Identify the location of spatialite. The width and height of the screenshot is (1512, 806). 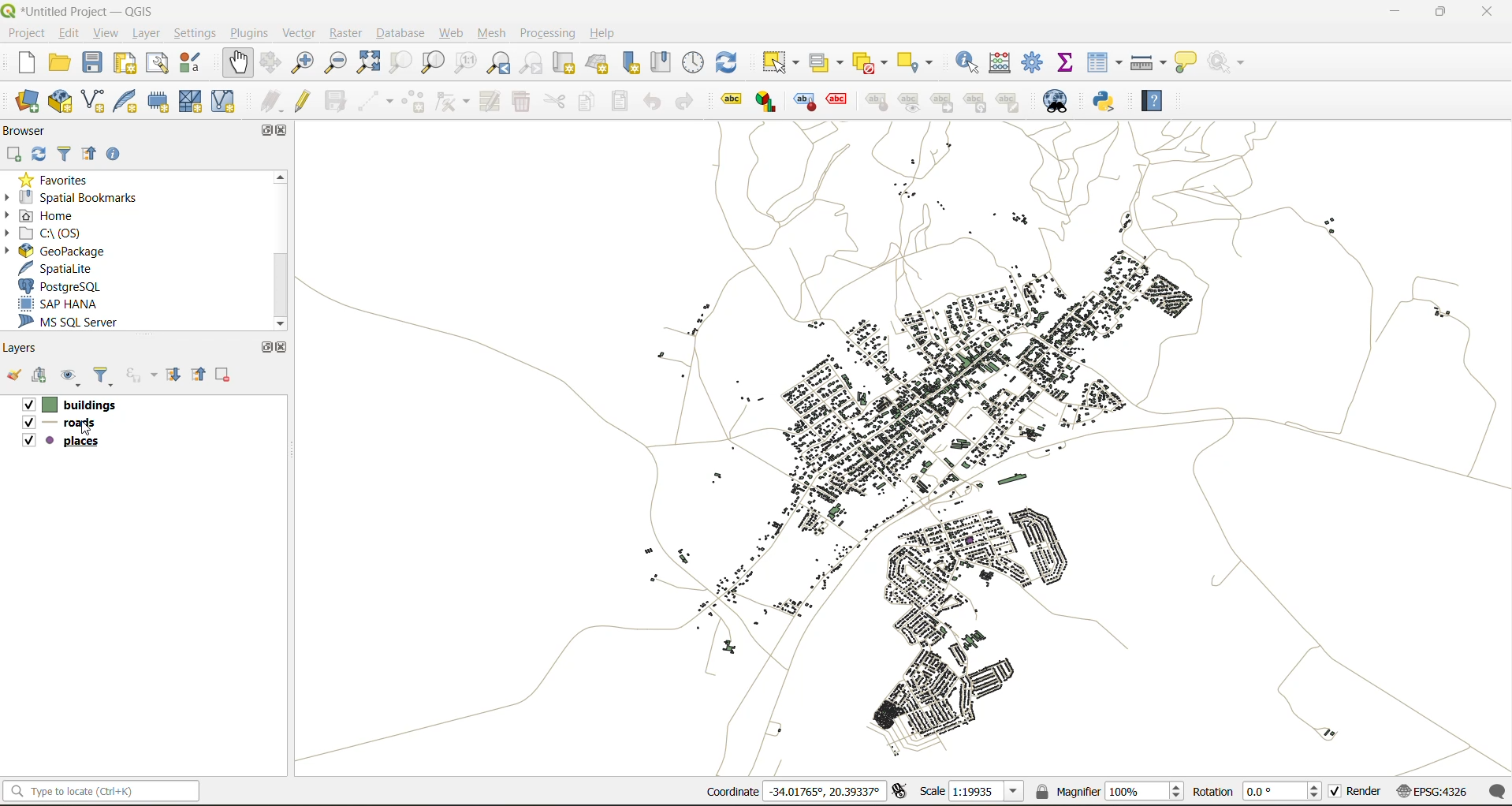
(54, 267).